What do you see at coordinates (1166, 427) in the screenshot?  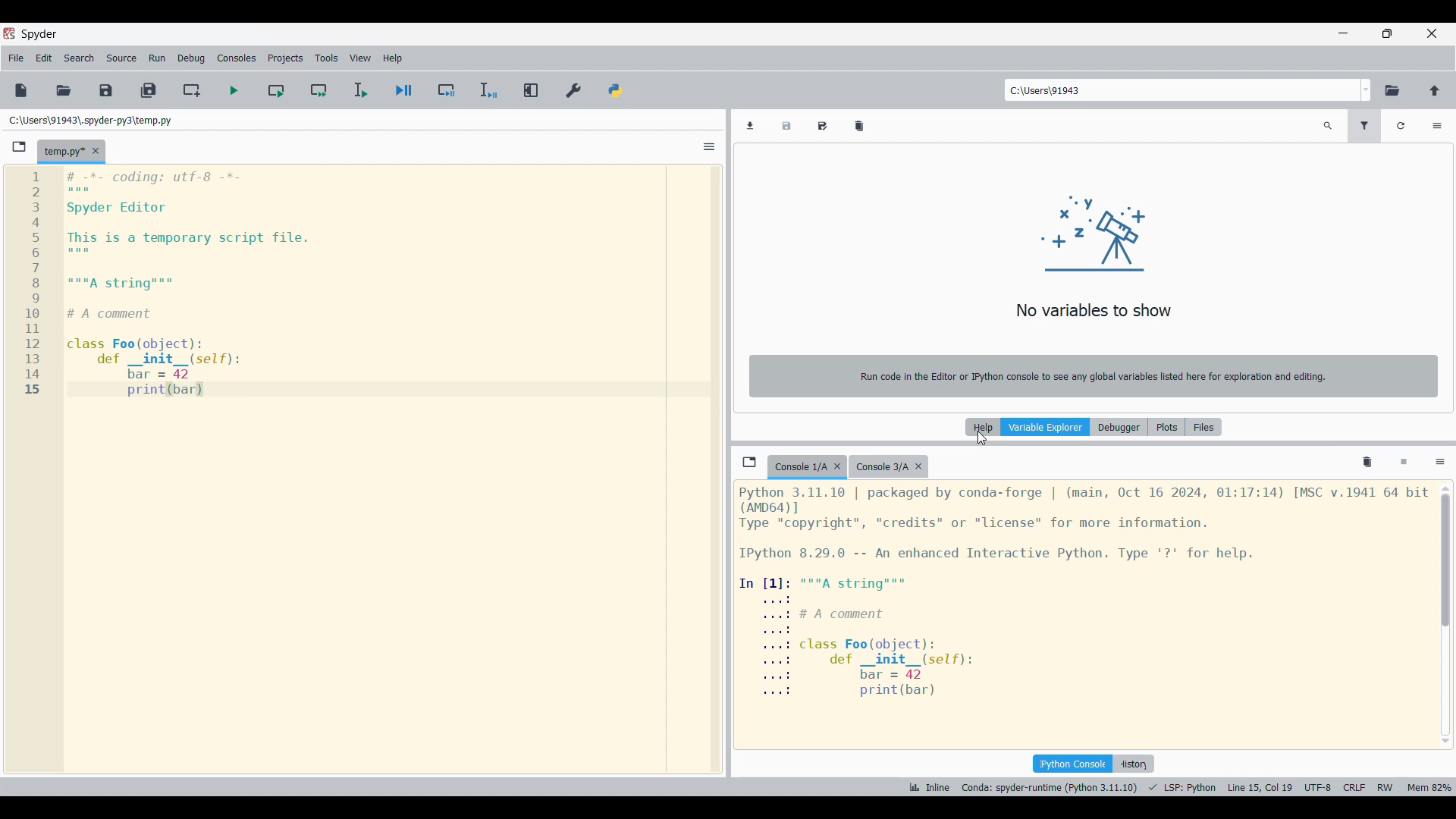 I see `Plots` at bounding box center [1166, 427].